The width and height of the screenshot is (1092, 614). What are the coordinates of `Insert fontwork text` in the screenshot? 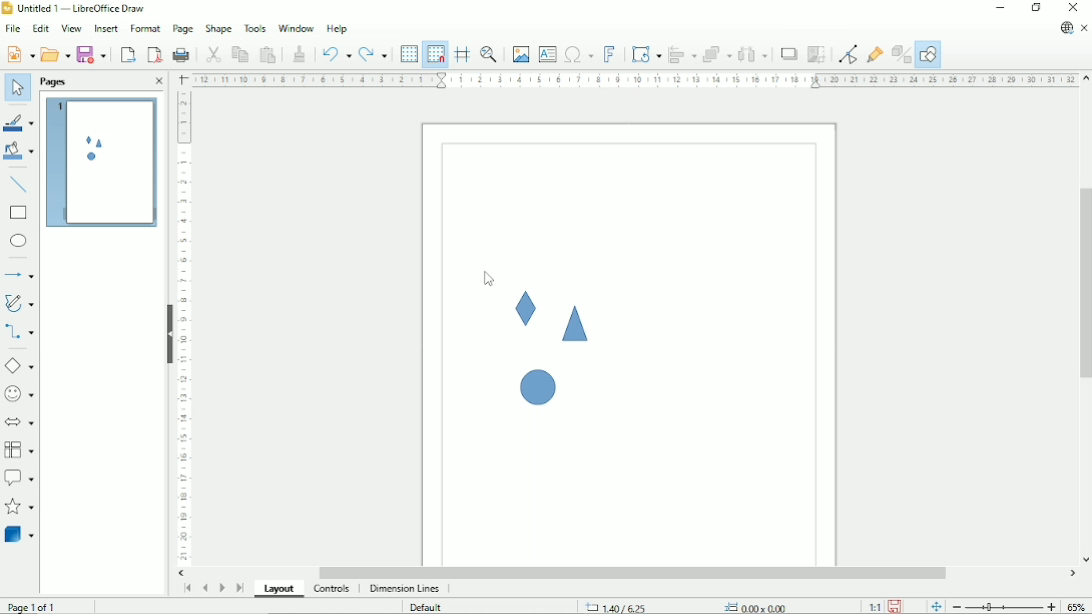 It's located at (609, 54).